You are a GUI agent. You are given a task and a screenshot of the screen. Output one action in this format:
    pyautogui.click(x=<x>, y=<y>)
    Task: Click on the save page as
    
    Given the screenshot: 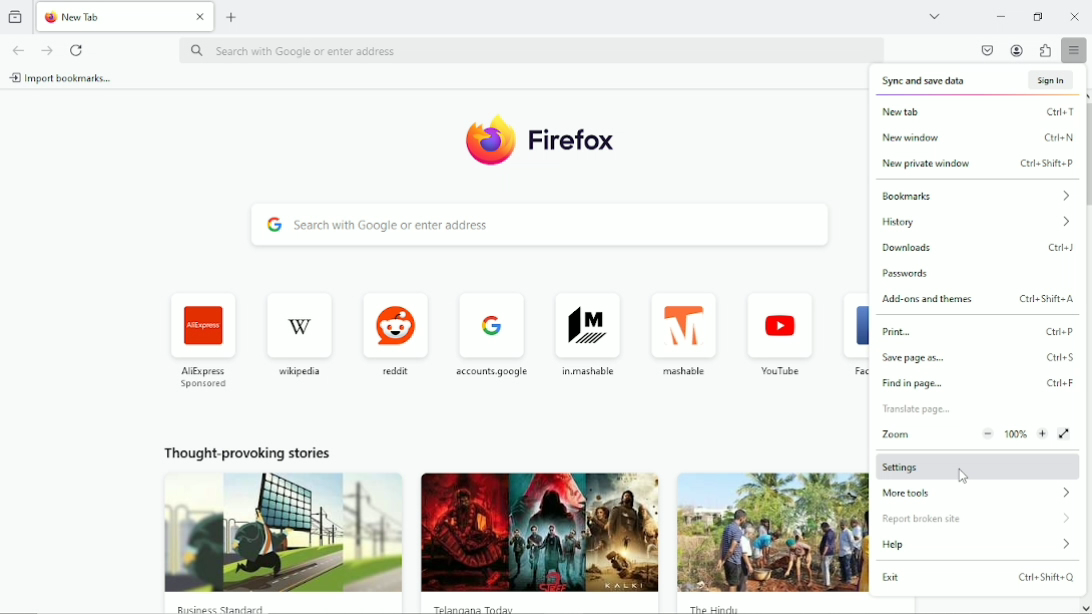 What is the action you would take?
    pyautogui.click(x=979, y=359)
    